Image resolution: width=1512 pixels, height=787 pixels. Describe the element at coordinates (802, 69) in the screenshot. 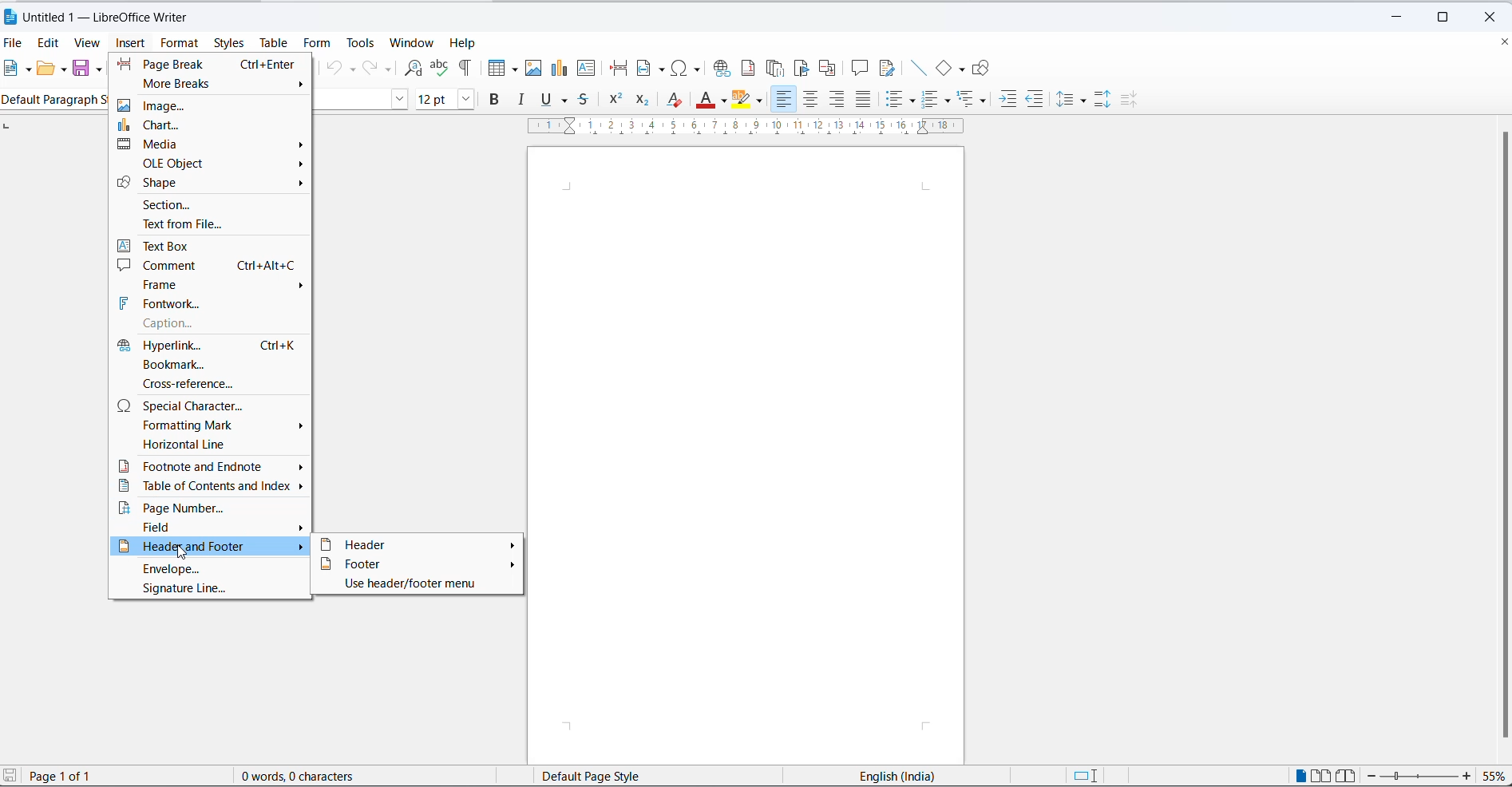

I see `insert bookmark` at that location.